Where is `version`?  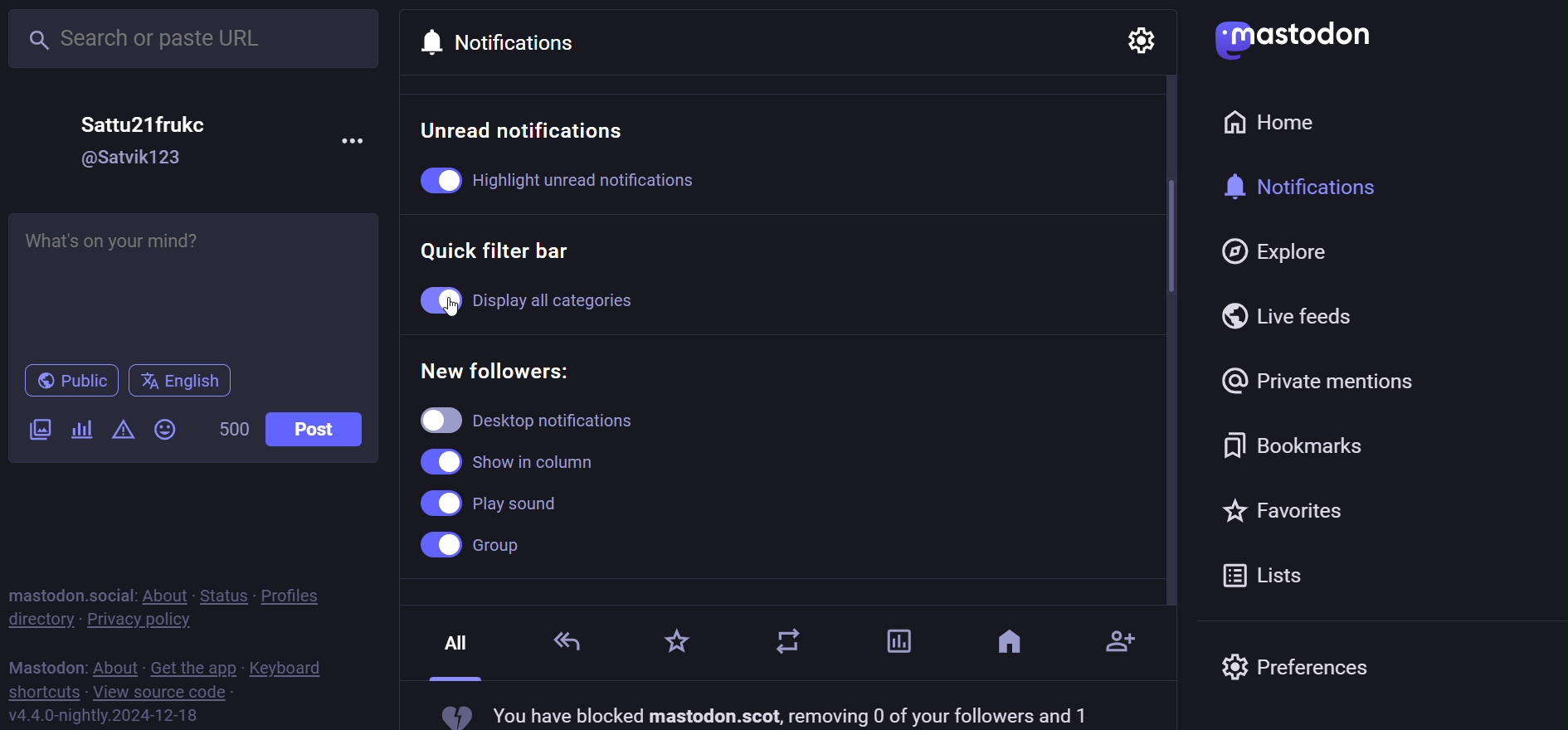
version is located at coordinates (105, 714).